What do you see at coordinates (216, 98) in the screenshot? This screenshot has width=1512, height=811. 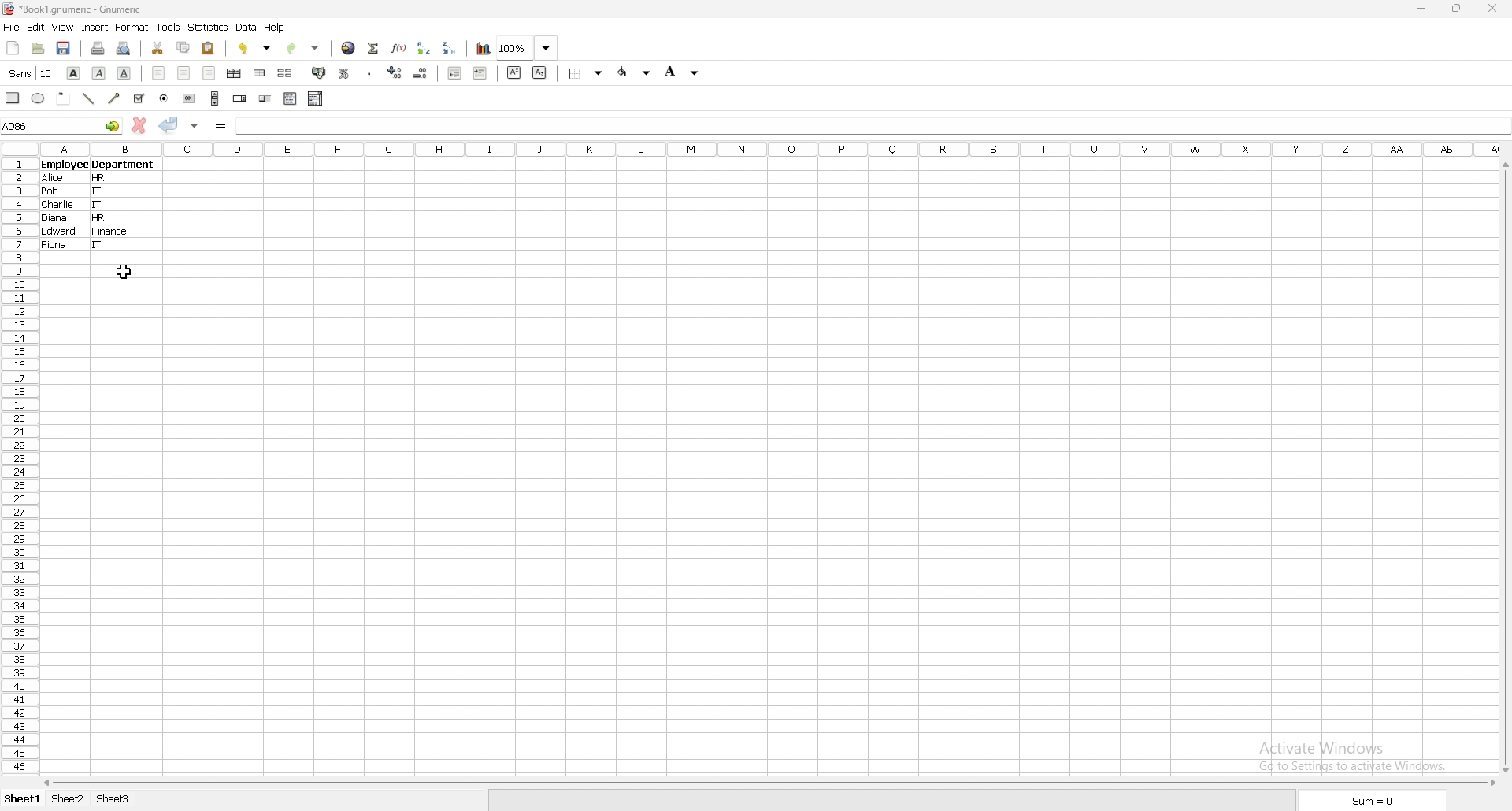 I see `scroll bar` at bounding box center [216, 98].